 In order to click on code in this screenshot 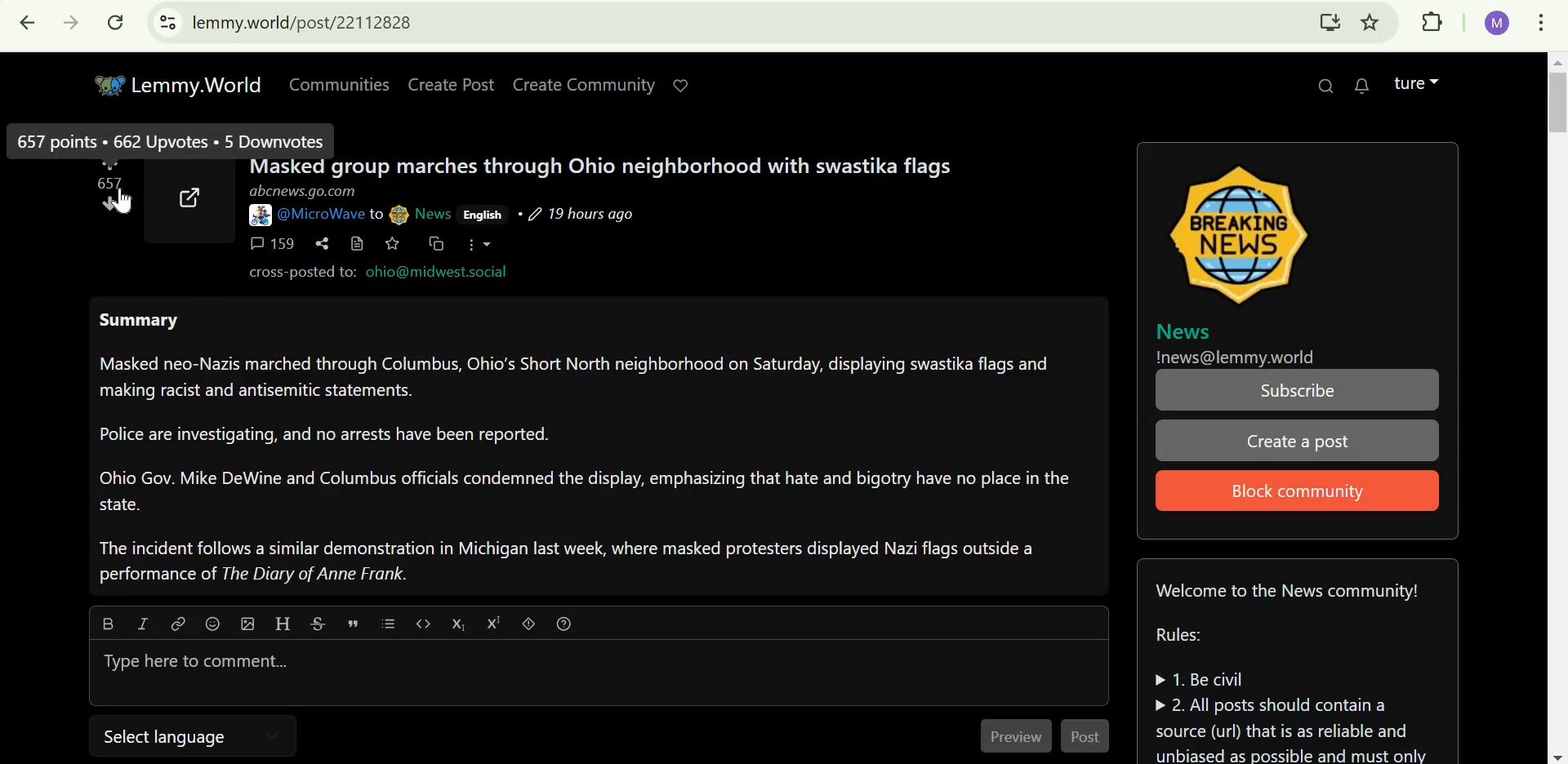, I will do `click(421, 624)`.